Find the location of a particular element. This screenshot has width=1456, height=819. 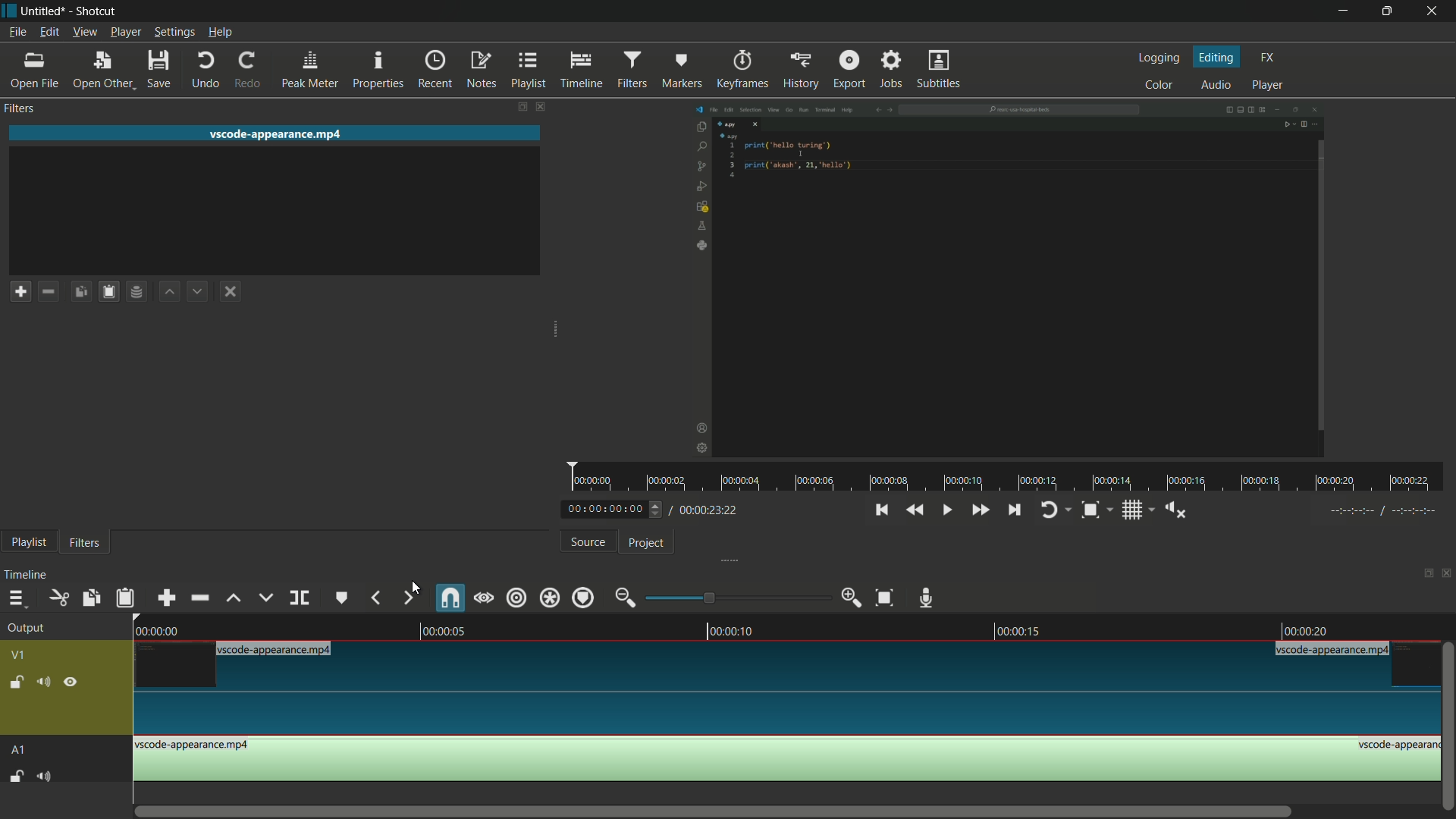

time is located at coordinates (1012, 475).